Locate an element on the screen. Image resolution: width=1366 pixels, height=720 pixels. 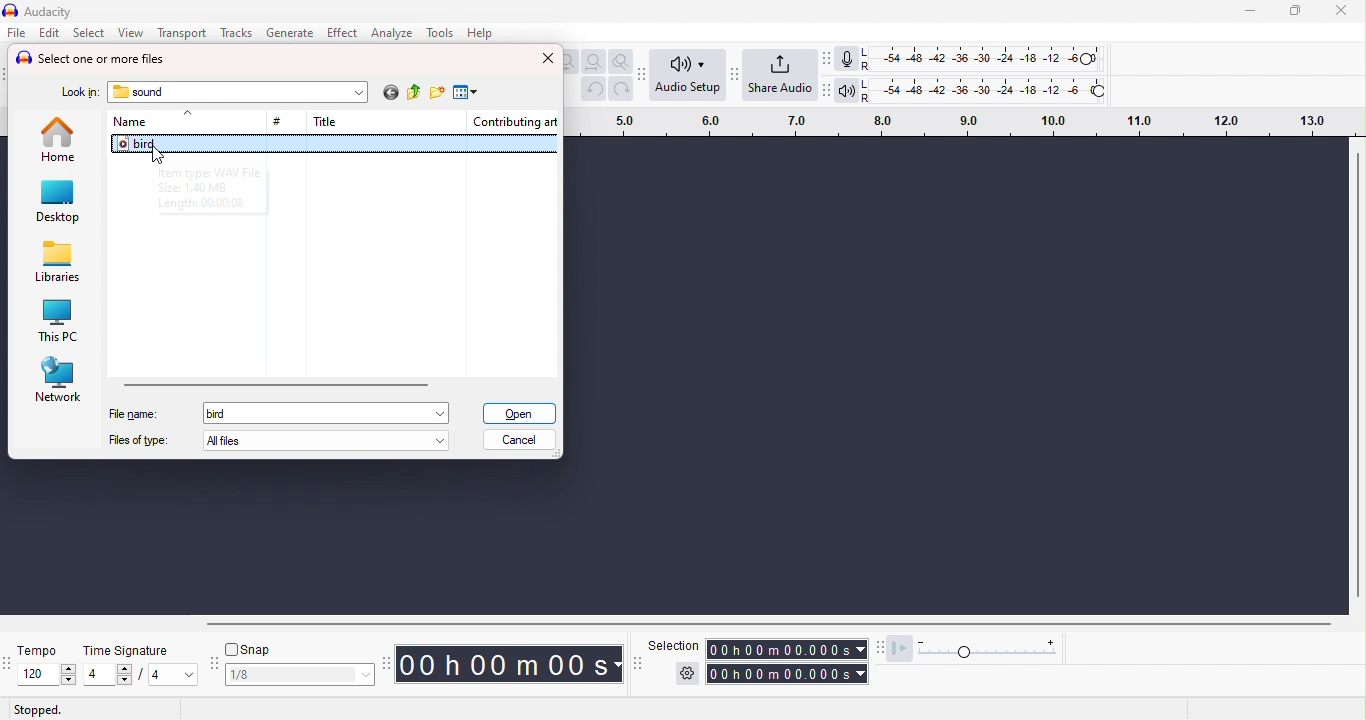
select is located at coordinates (91, 33).